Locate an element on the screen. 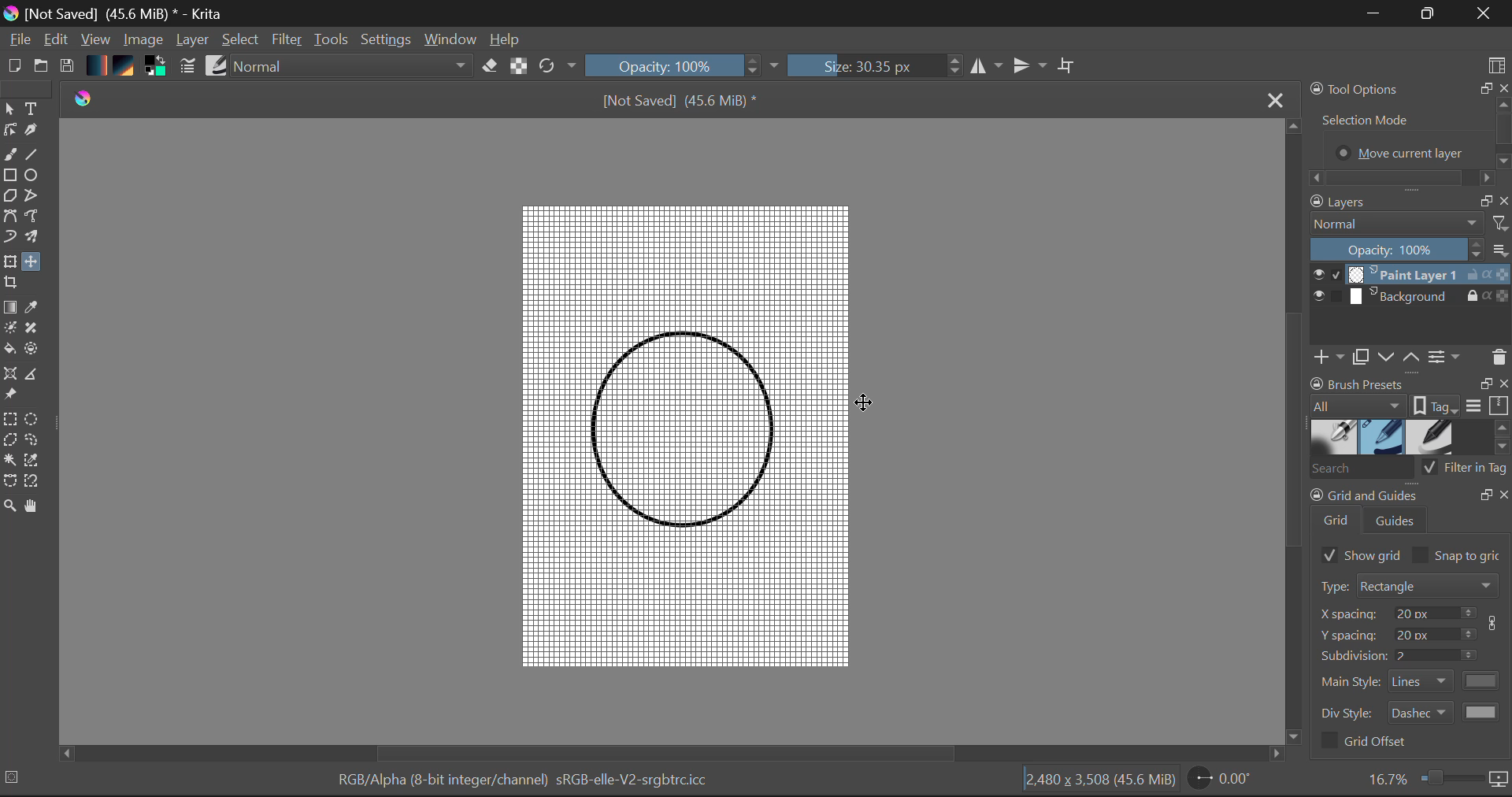  Grid and Guides Docker is located at coordinates (1411, 664).